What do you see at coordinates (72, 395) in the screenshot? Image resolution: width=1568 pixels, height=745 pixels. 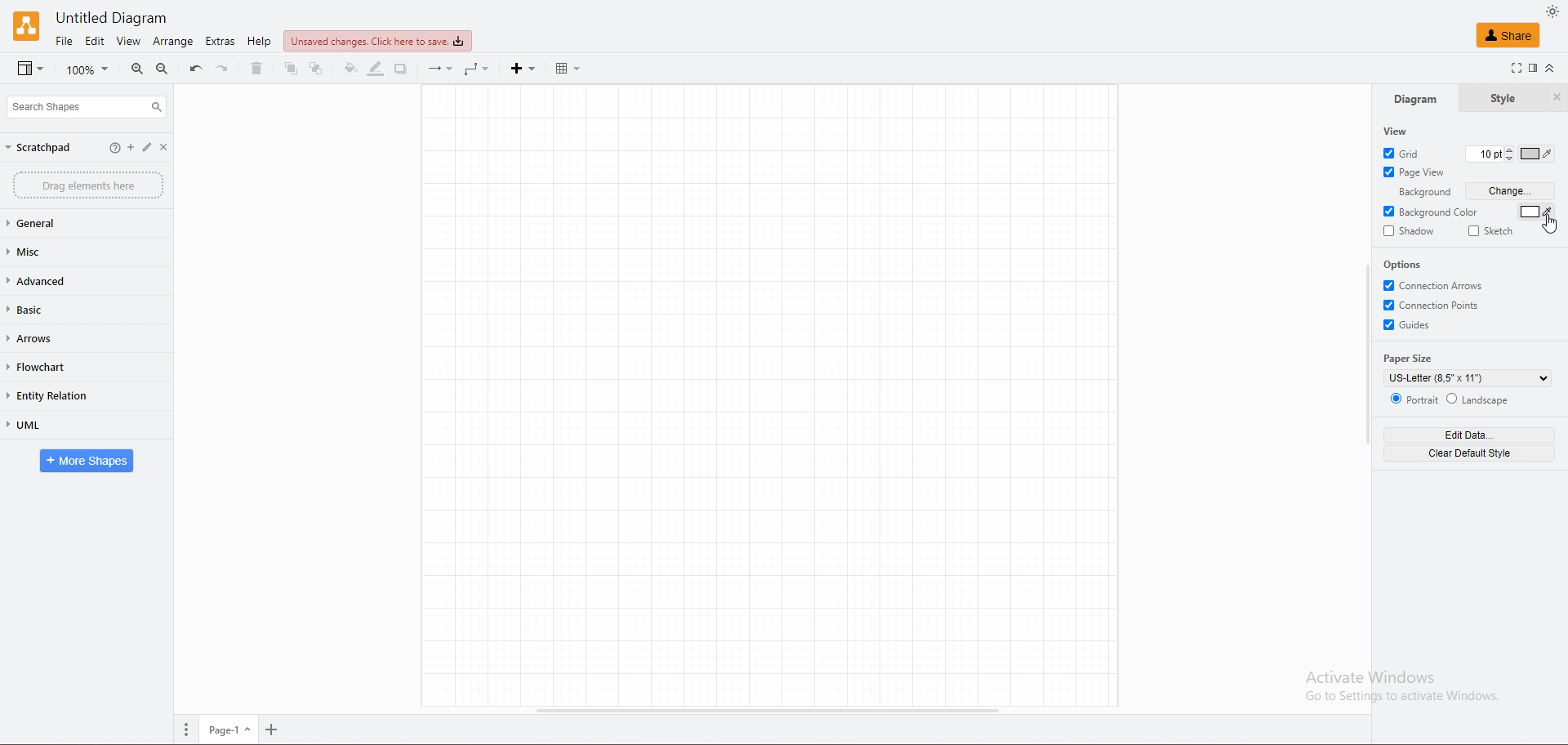 I see `entity relation` at bounding box center [72, 395].